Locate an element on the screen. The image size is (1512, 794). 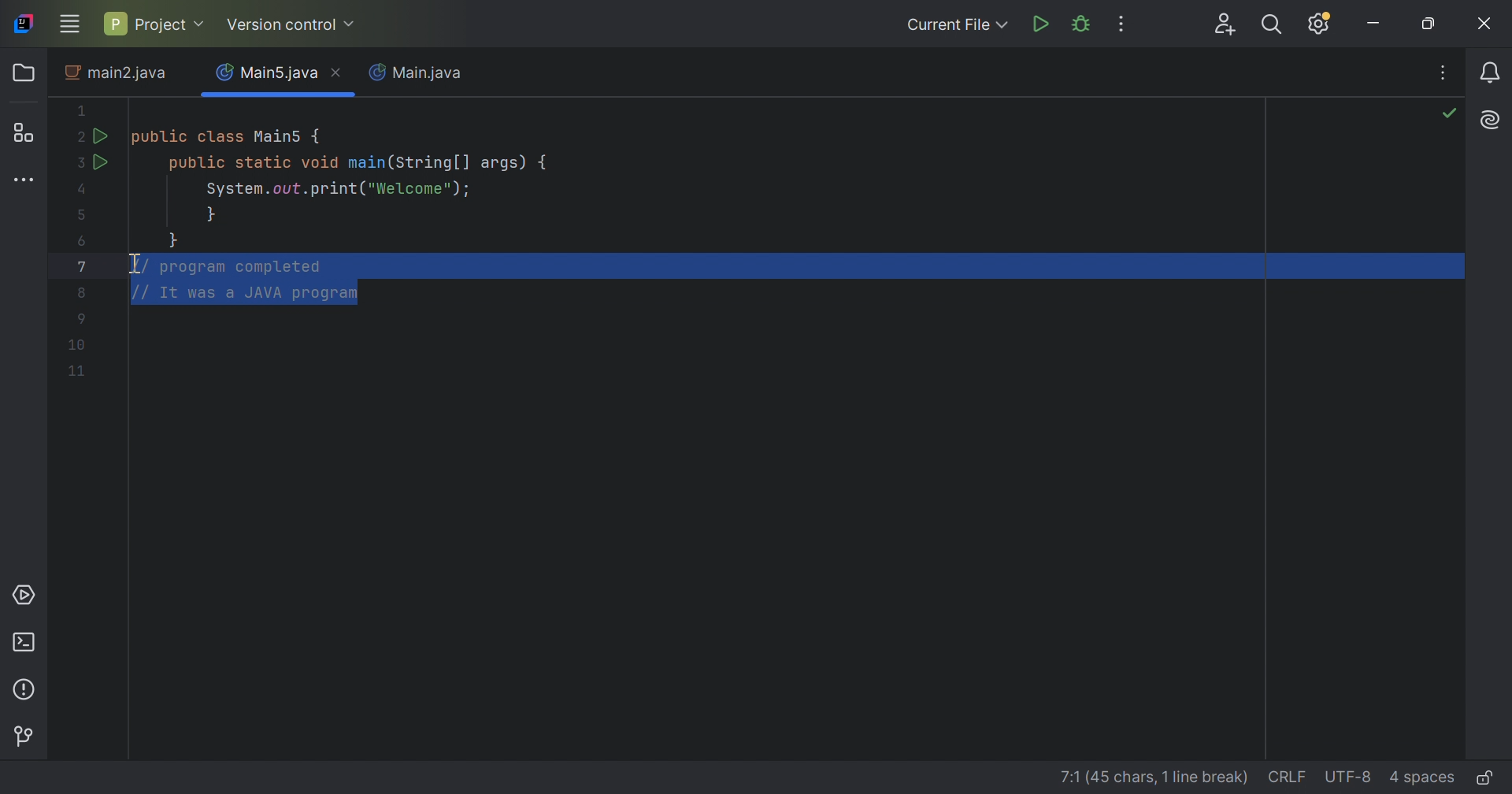
Main.java is located at coordinates (421, 74).